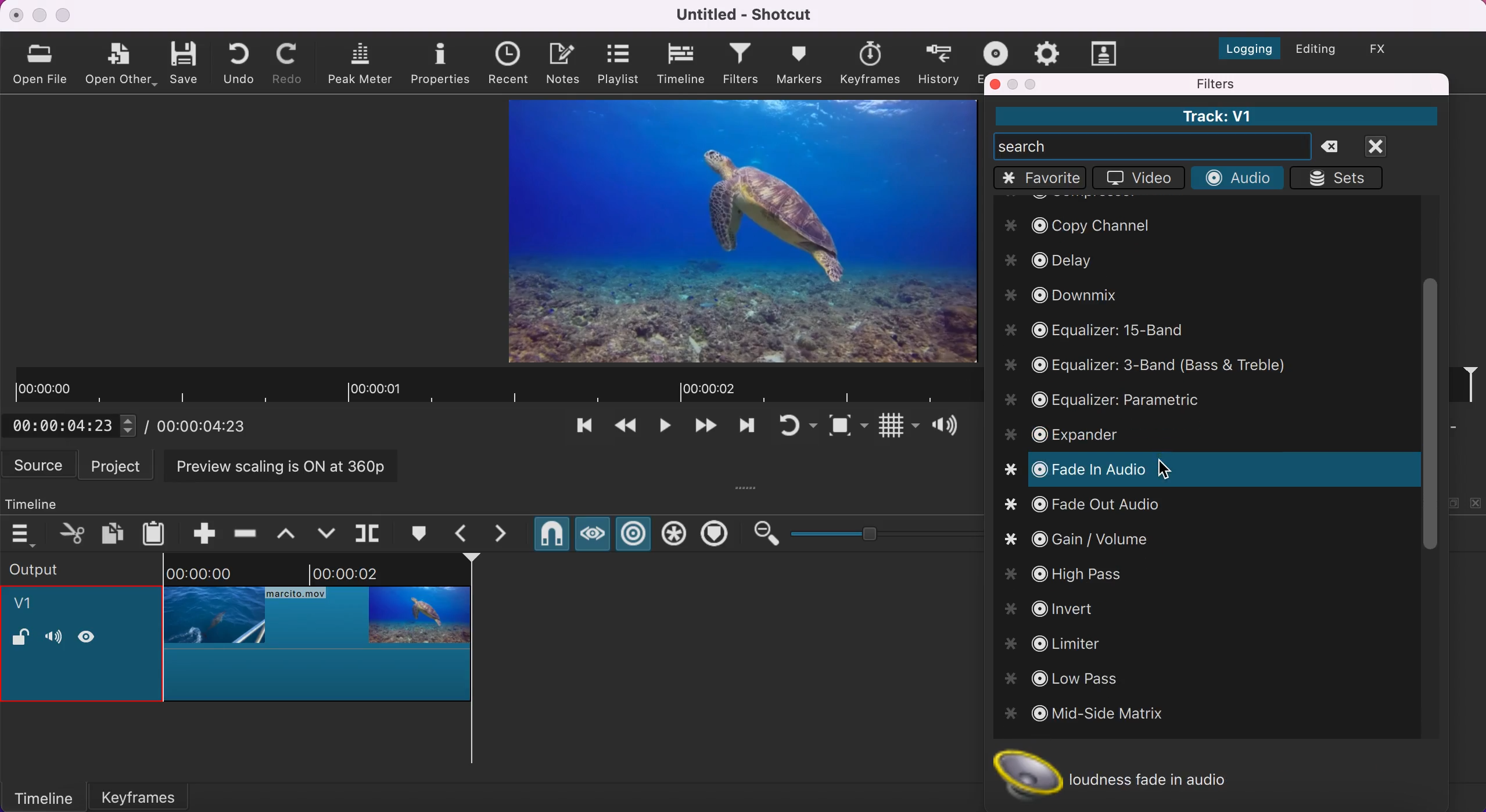 Image resolution: width=1486 pixels, height=812 pixels. What do you see at coordinates (20, 639) in the screenshot?
I see `lock` at bounding box center [20, 639].